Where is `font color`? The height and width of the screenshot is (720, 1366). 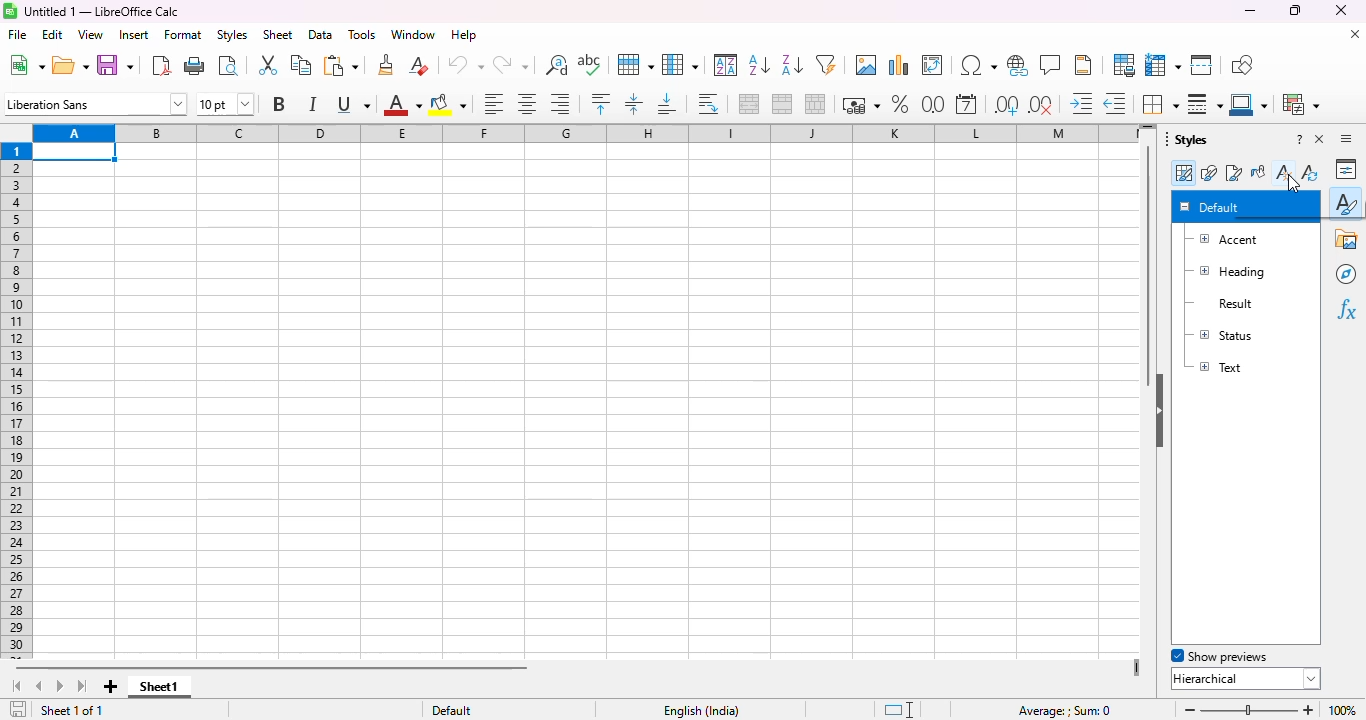
font color is located at coordinates (403, 104).